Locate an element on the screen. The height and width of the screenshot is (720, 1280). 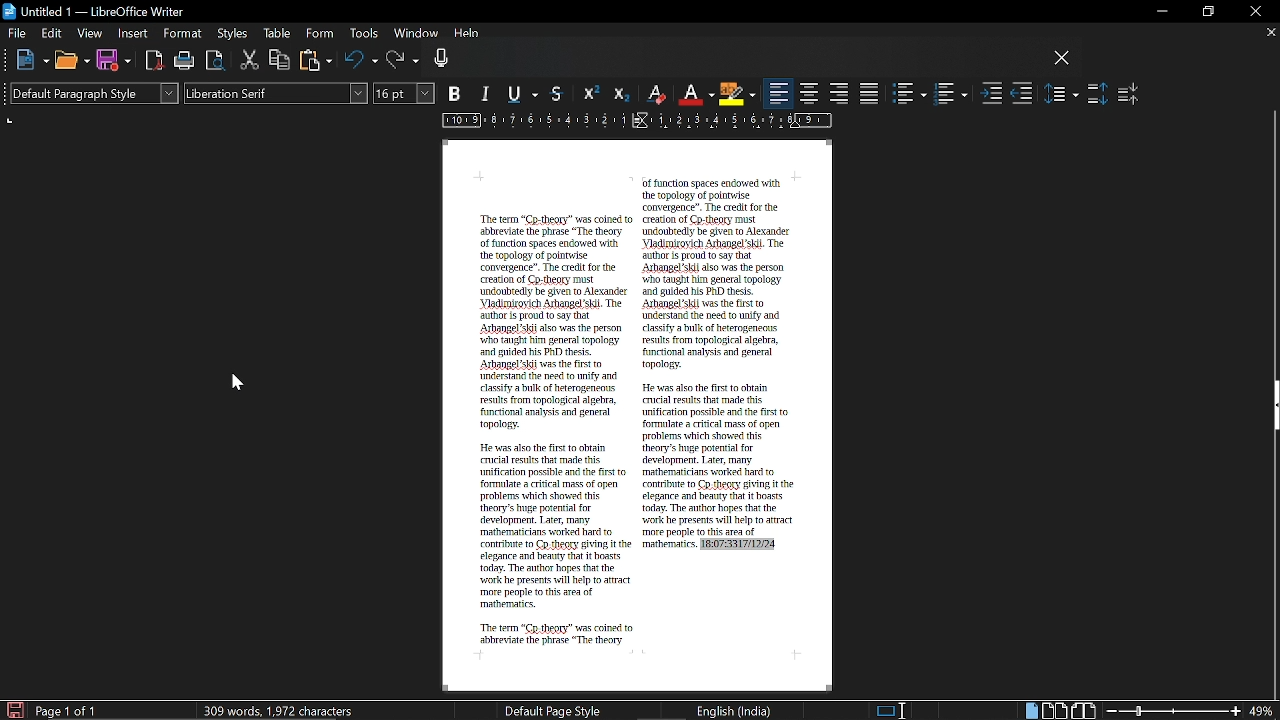
Underline is located at coordinates (526, 95).